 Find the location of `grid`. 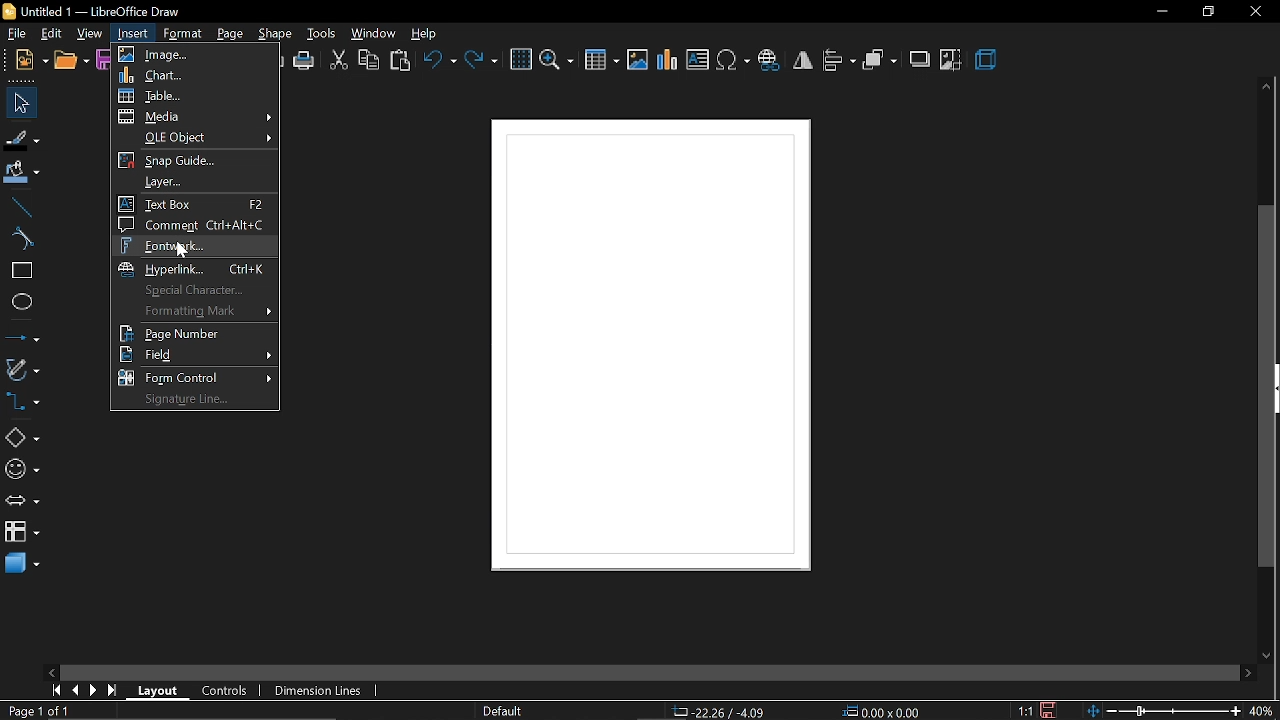

grid is located at coordinates (521, 60).